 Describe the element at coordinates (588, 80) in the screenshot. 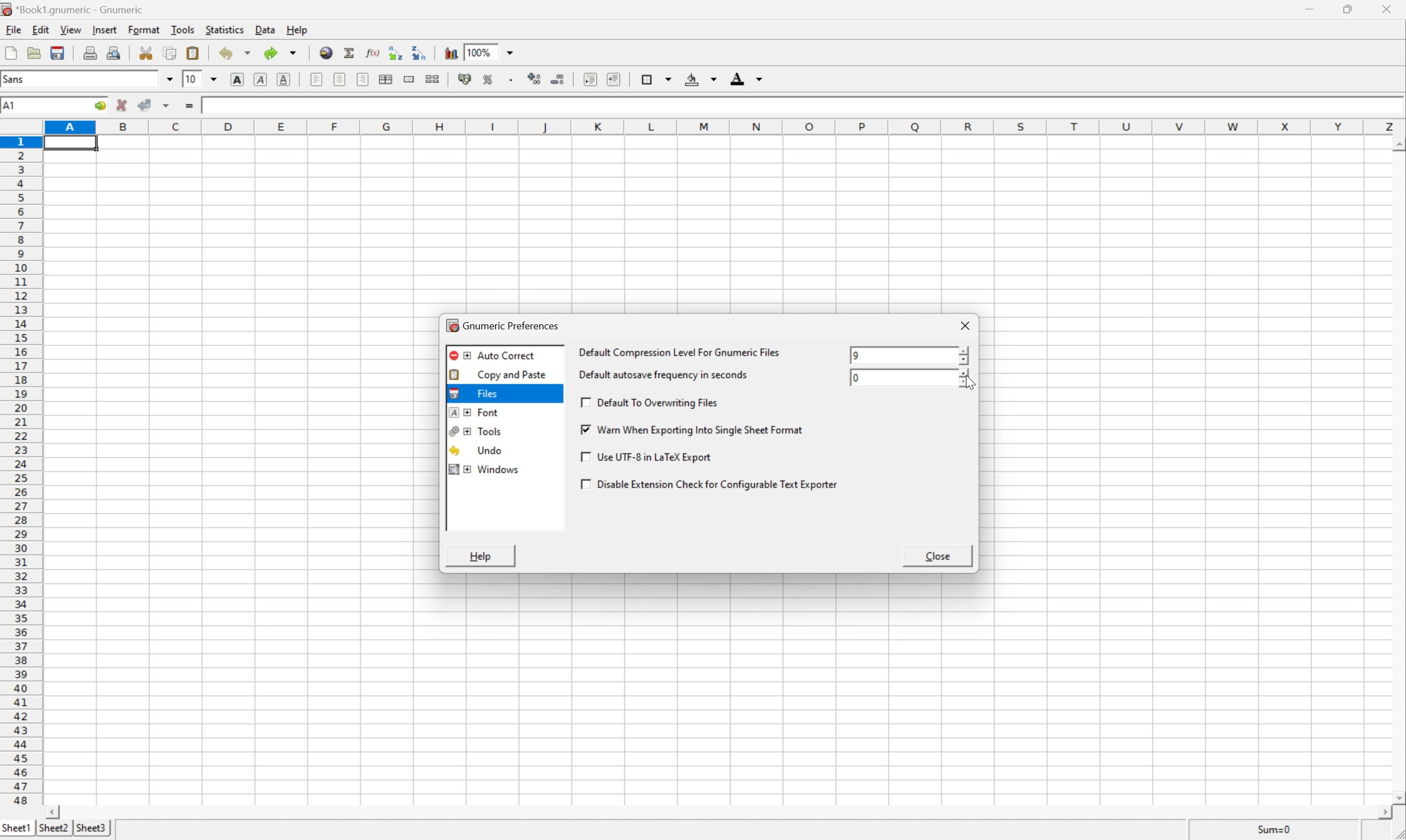

I see `decrease indent` at that location.